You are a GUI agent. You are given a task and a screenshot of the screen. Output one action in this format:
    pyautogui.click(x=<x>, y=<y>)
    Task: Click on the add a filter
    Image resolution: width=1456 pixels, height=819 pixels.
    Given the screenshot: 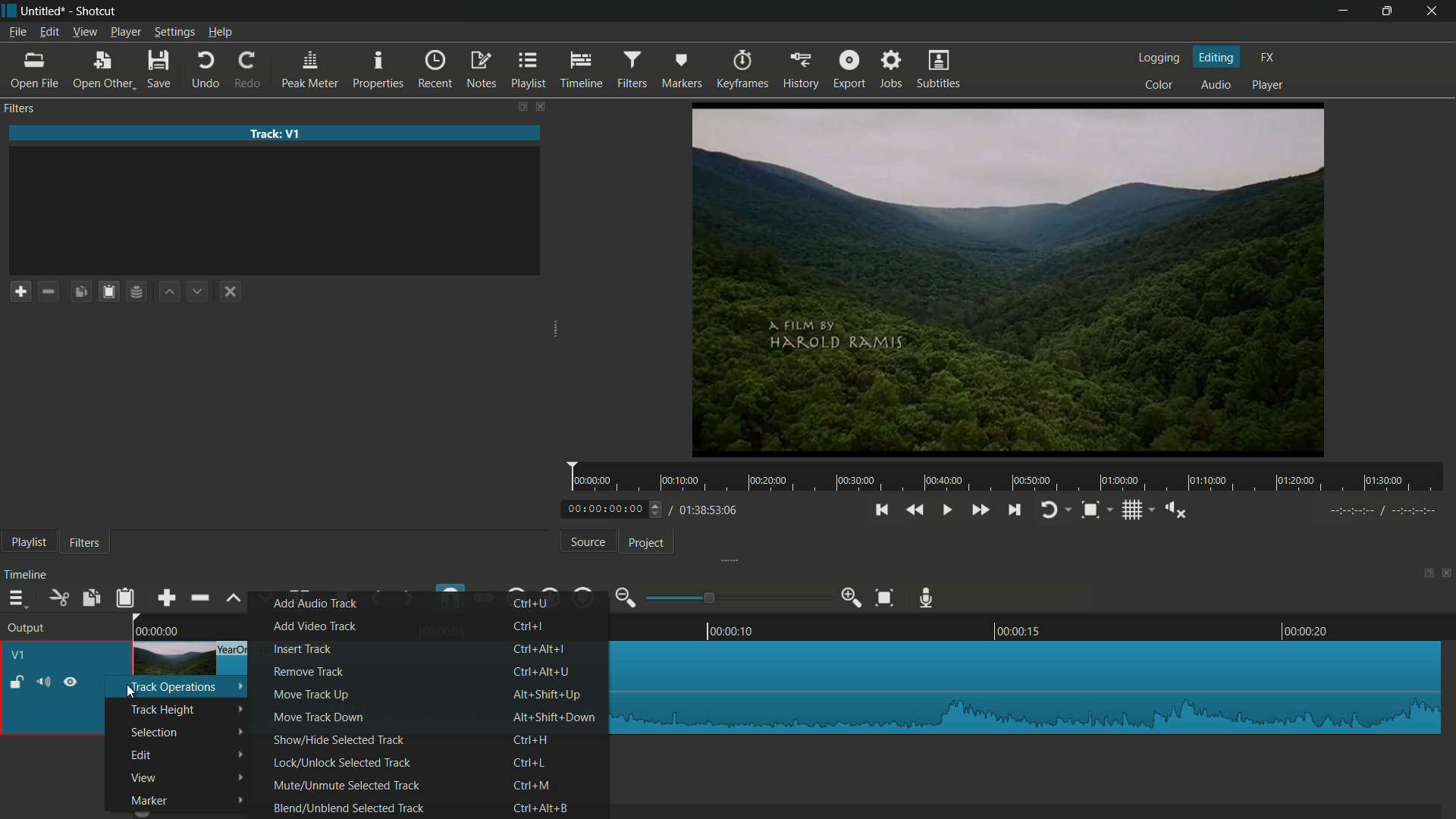 What is the action you would take?
    pyautogui.click(x=20, y=291)
    